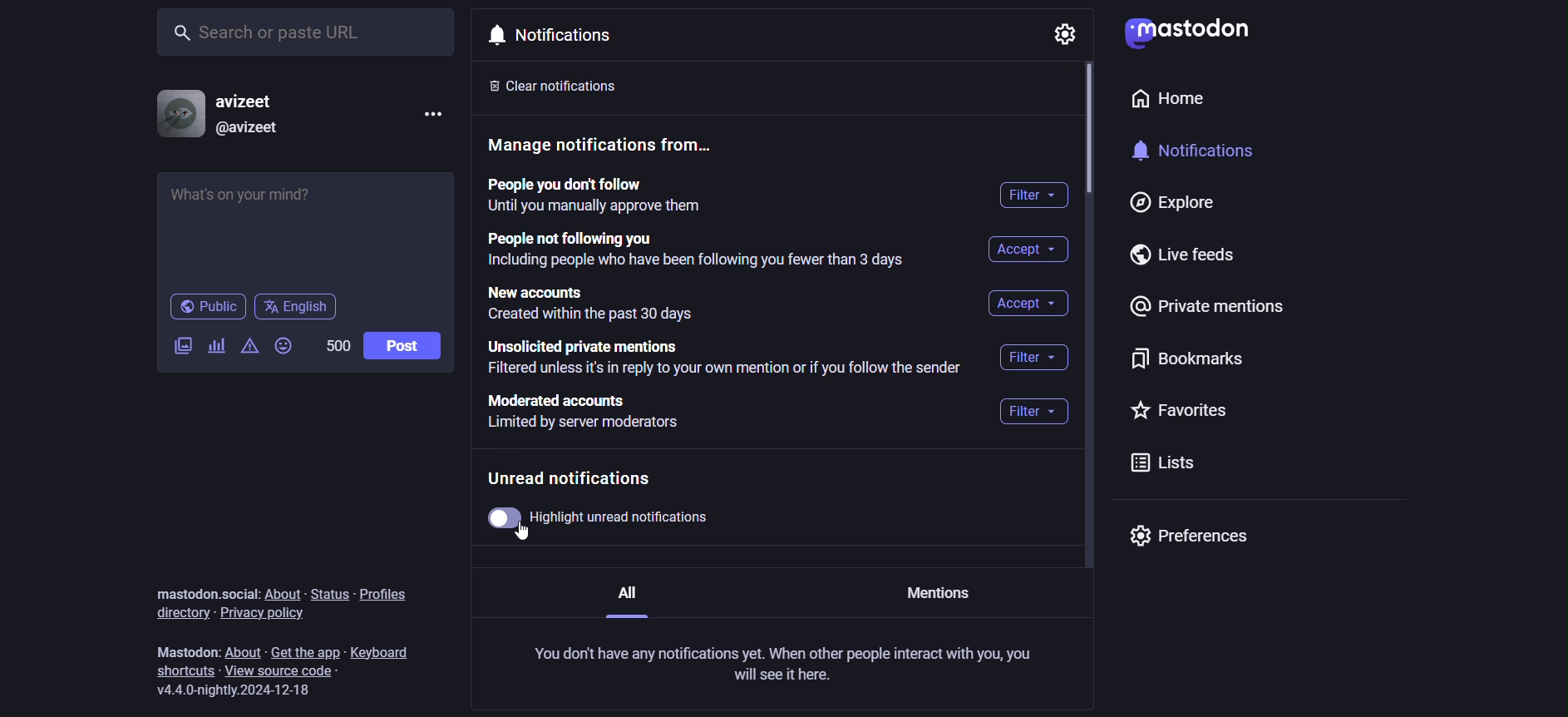 The width and height of the screenshot is (1568, 717). I want to click on new accounts created within the past 30 days, so click(622, 302).